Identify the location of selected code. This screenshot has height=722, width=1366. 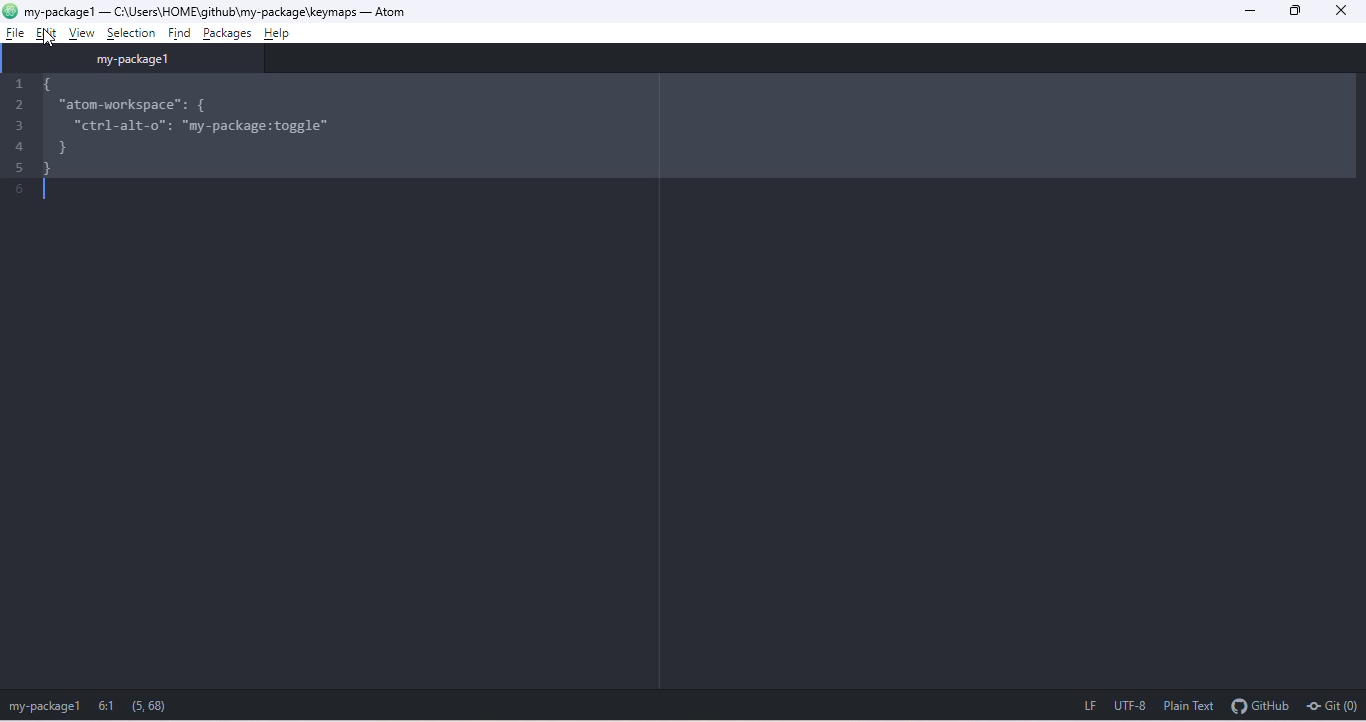
(694, 124).